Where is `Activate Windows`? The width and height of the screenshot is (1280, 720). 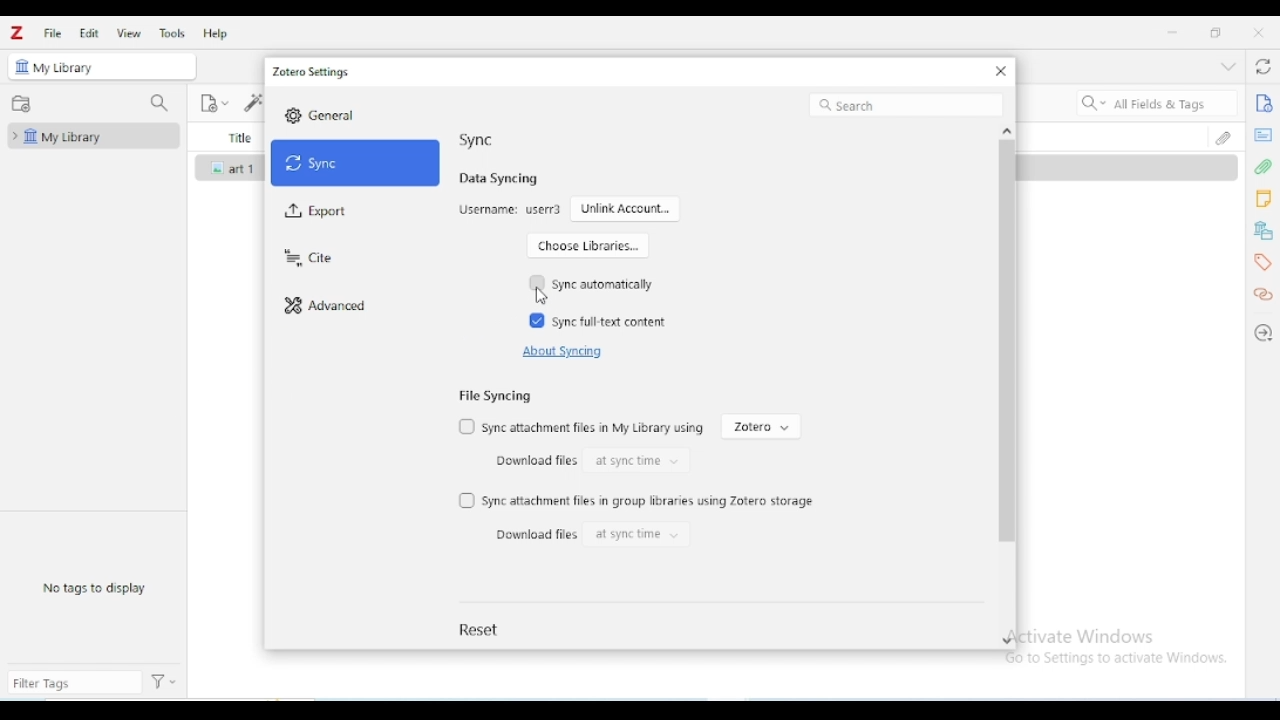
Activate Windows is located at coordinates (1085, 635).